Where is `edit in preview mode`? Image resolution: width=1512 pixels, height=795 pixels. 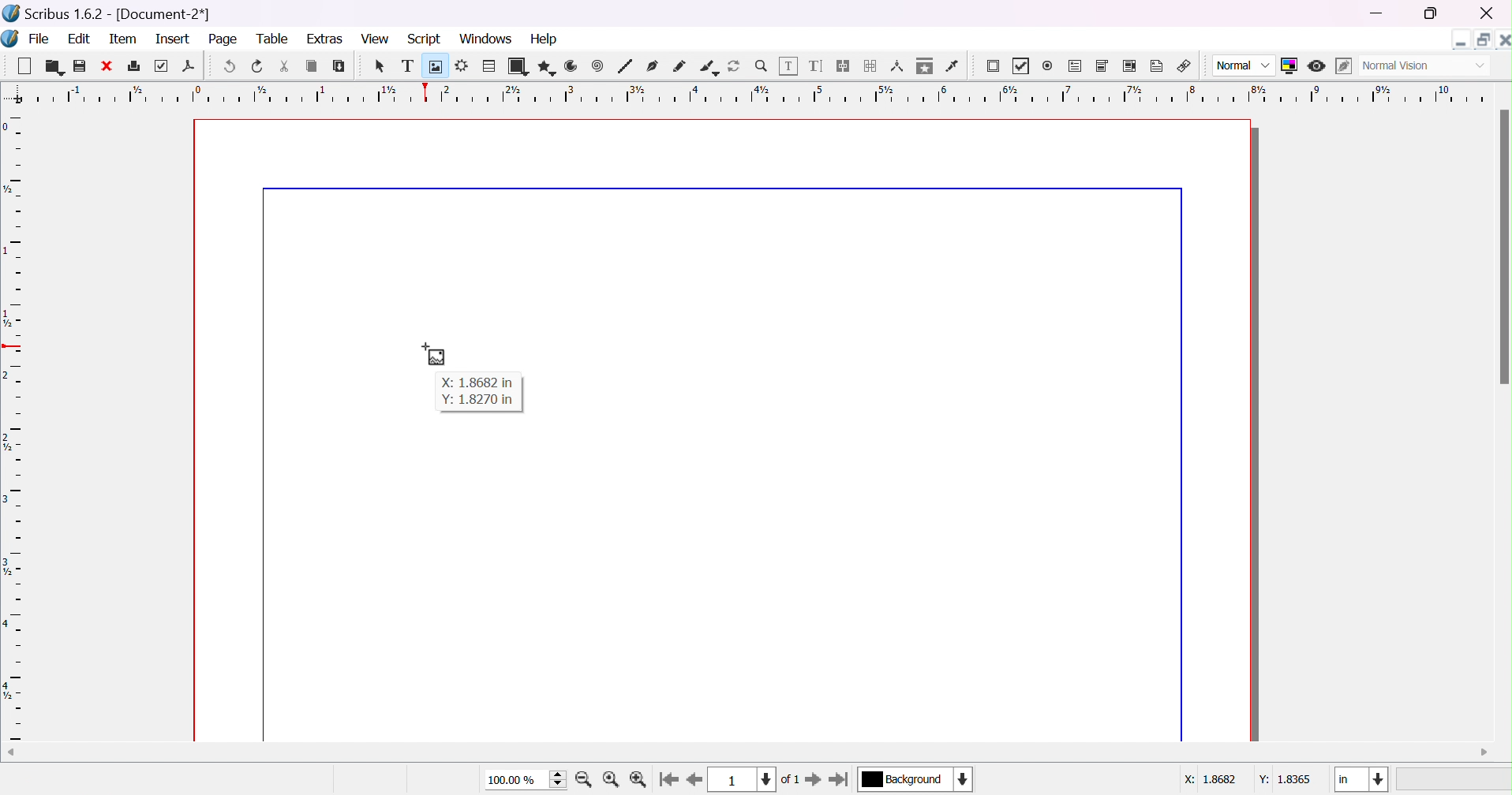
edit in preview mode is located at coordinates (1341, 66).